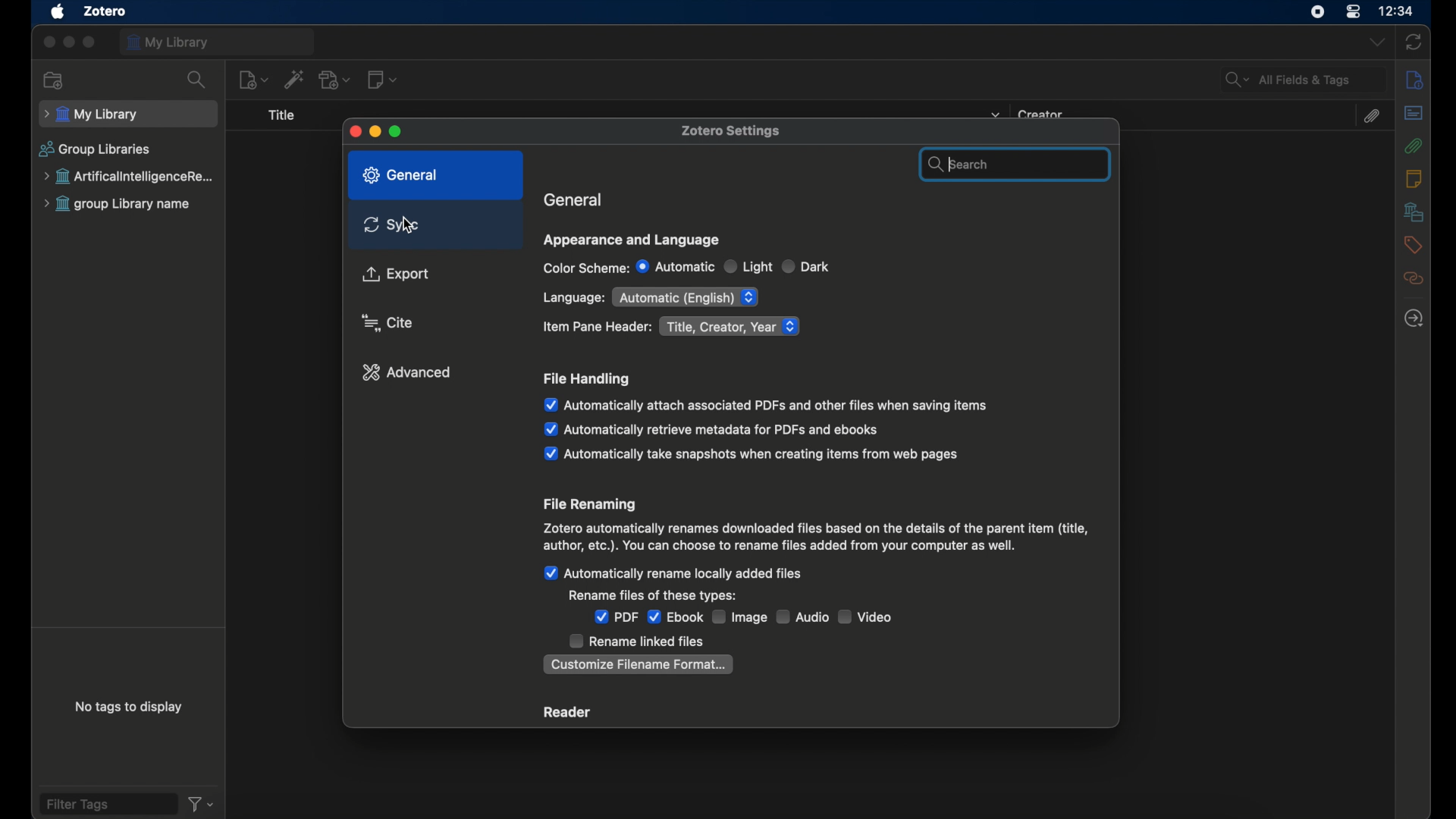  I want to click on close, so click(47, 43).